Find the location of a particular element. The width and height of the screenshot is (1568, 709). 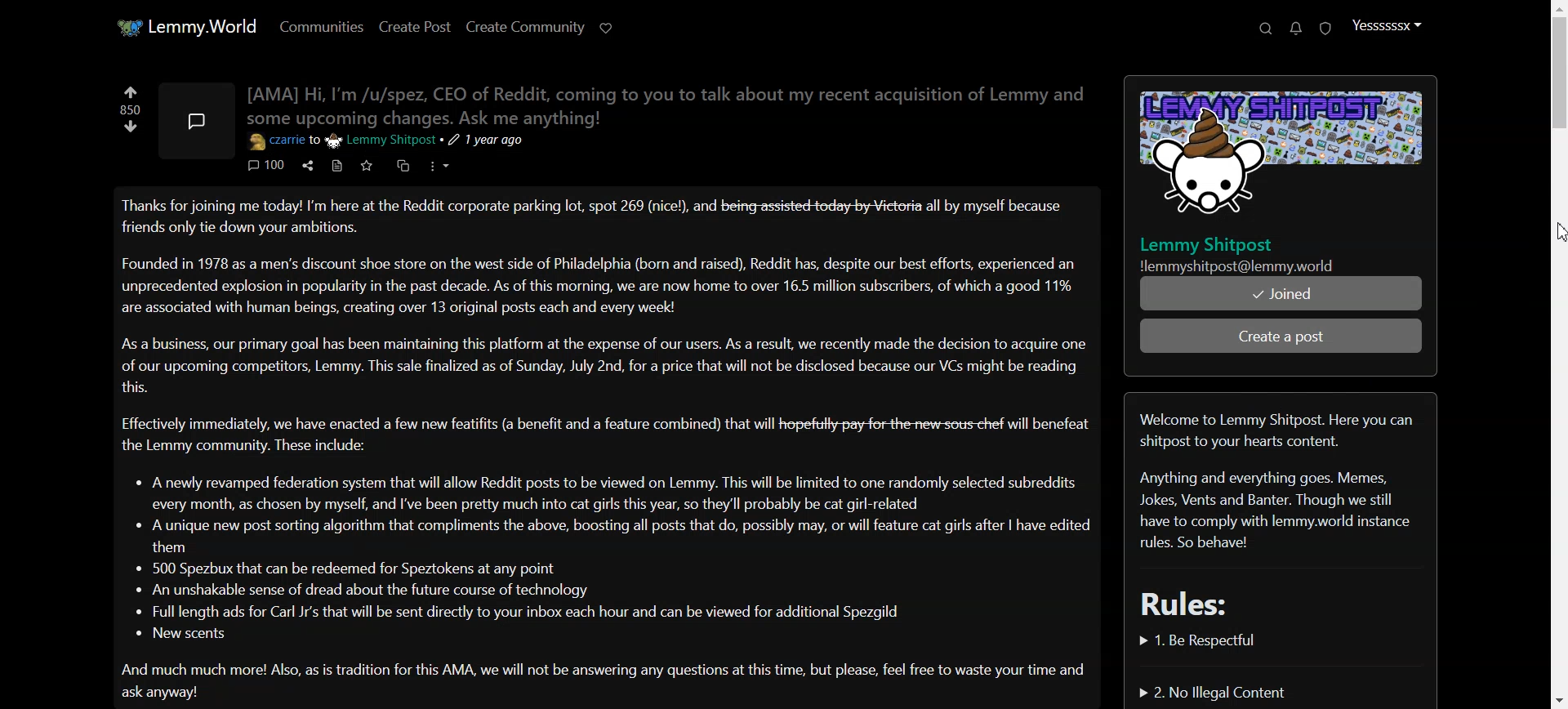

Vertical scroll bar is located at coordinates (1557, 354).